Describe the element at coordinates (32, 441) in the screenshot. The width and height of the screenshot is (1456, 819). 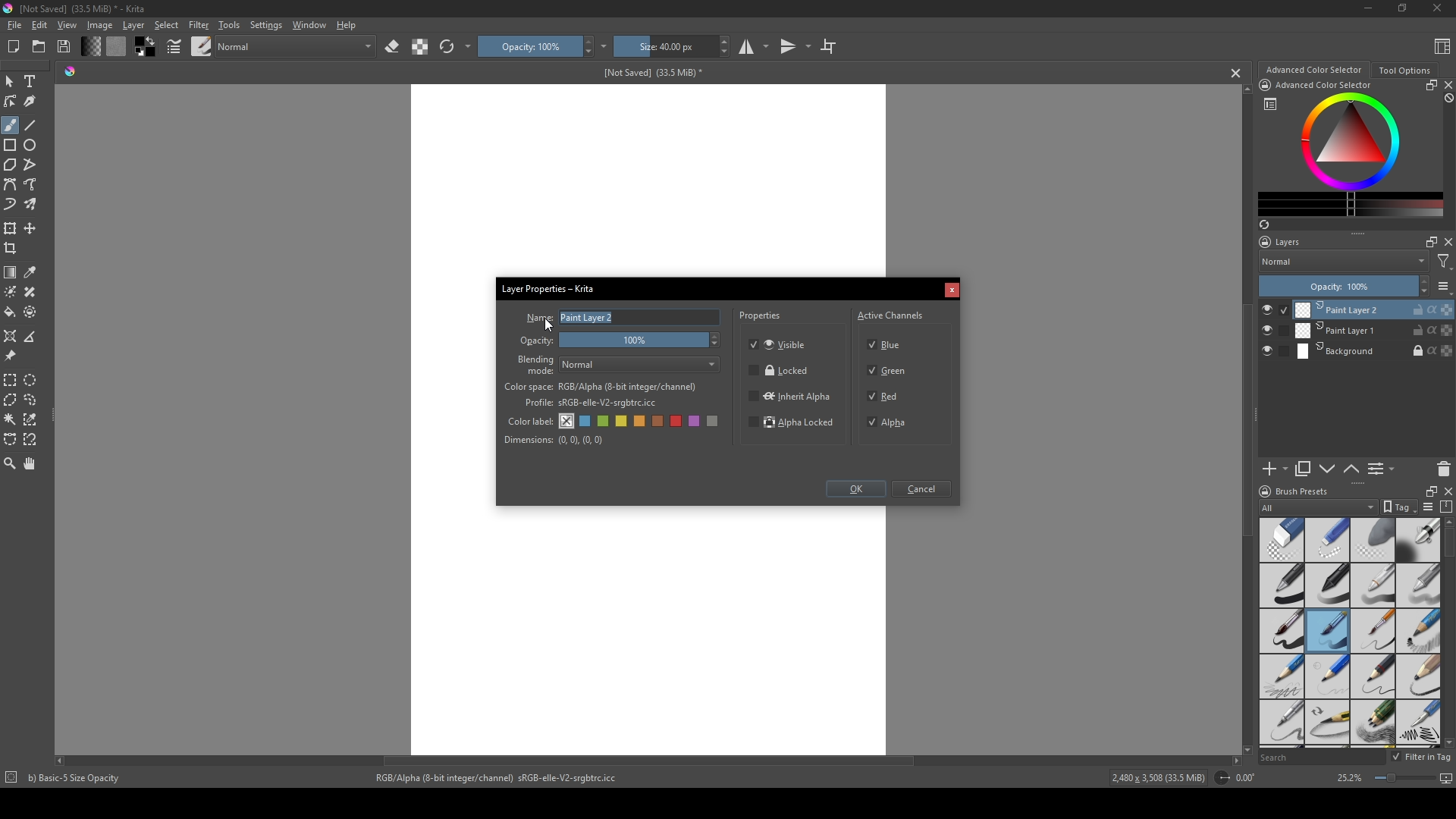
I see `magnetic curve` at that location.